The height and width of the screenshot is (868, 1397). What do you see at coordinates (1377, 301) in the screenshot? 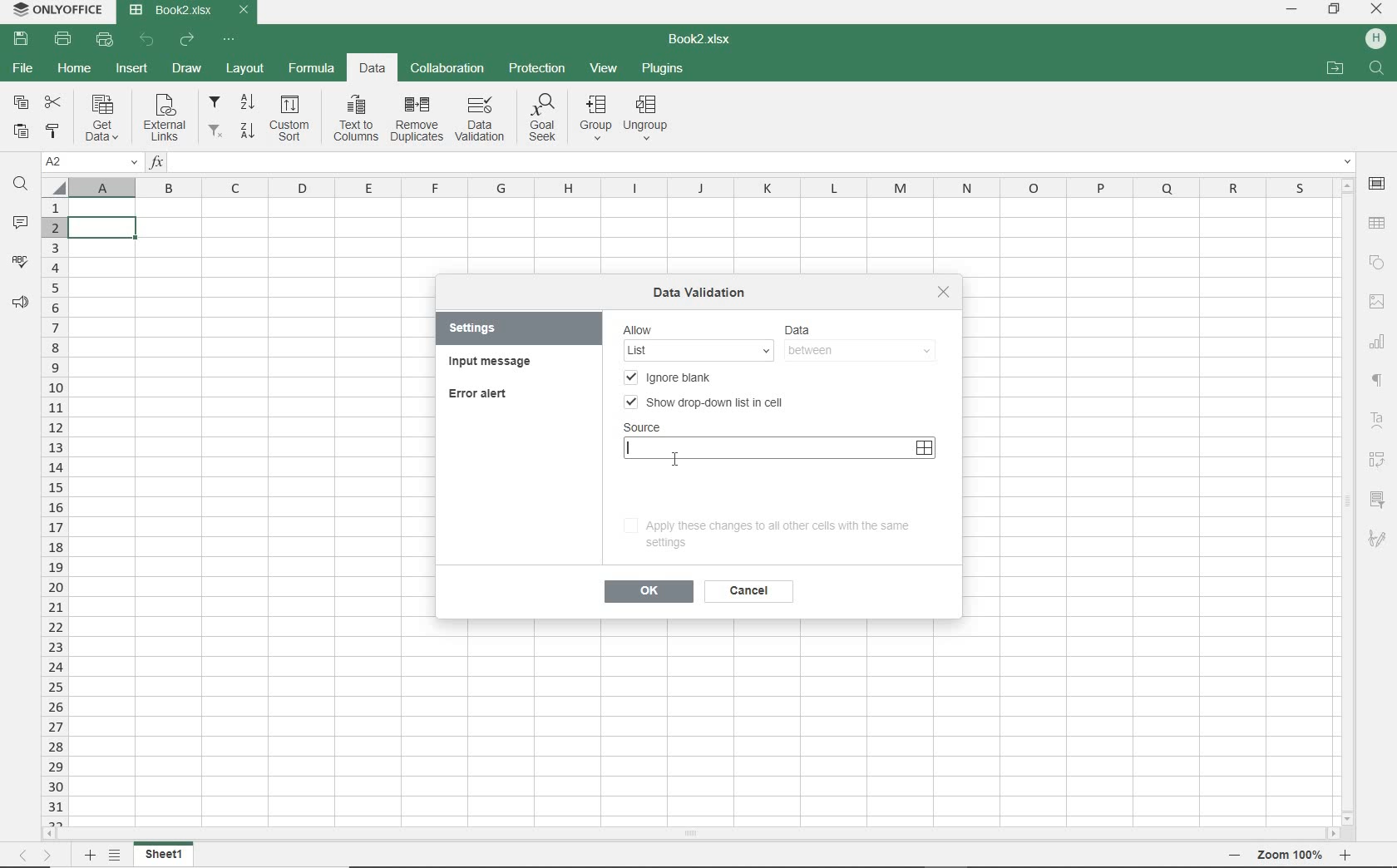
I see `IMAGE` at bounding box center [1377, 301].